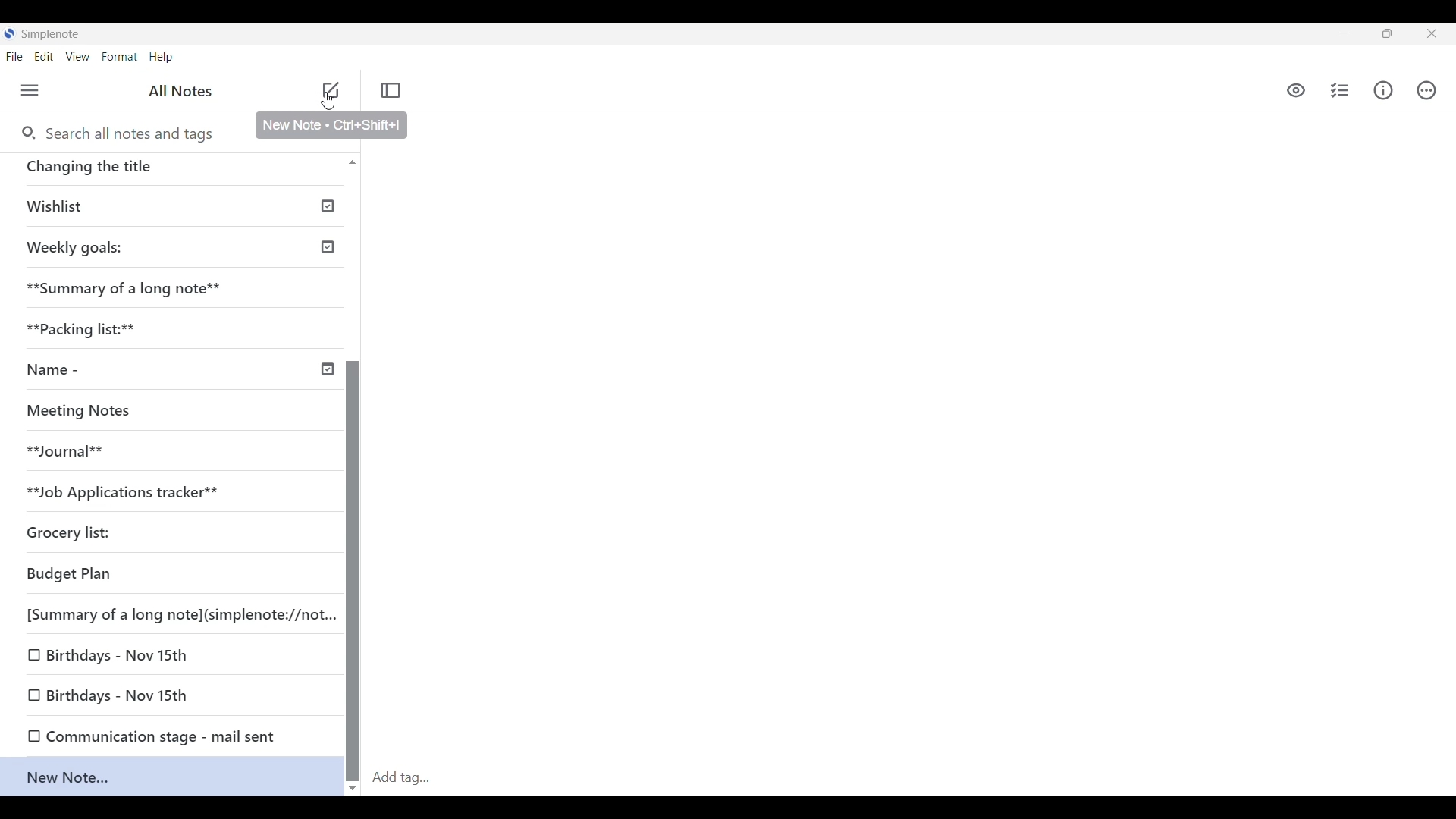  What do you see at coordinates (329, 206) in the screenshot?
I see `published` at bounding box center [329, 206].